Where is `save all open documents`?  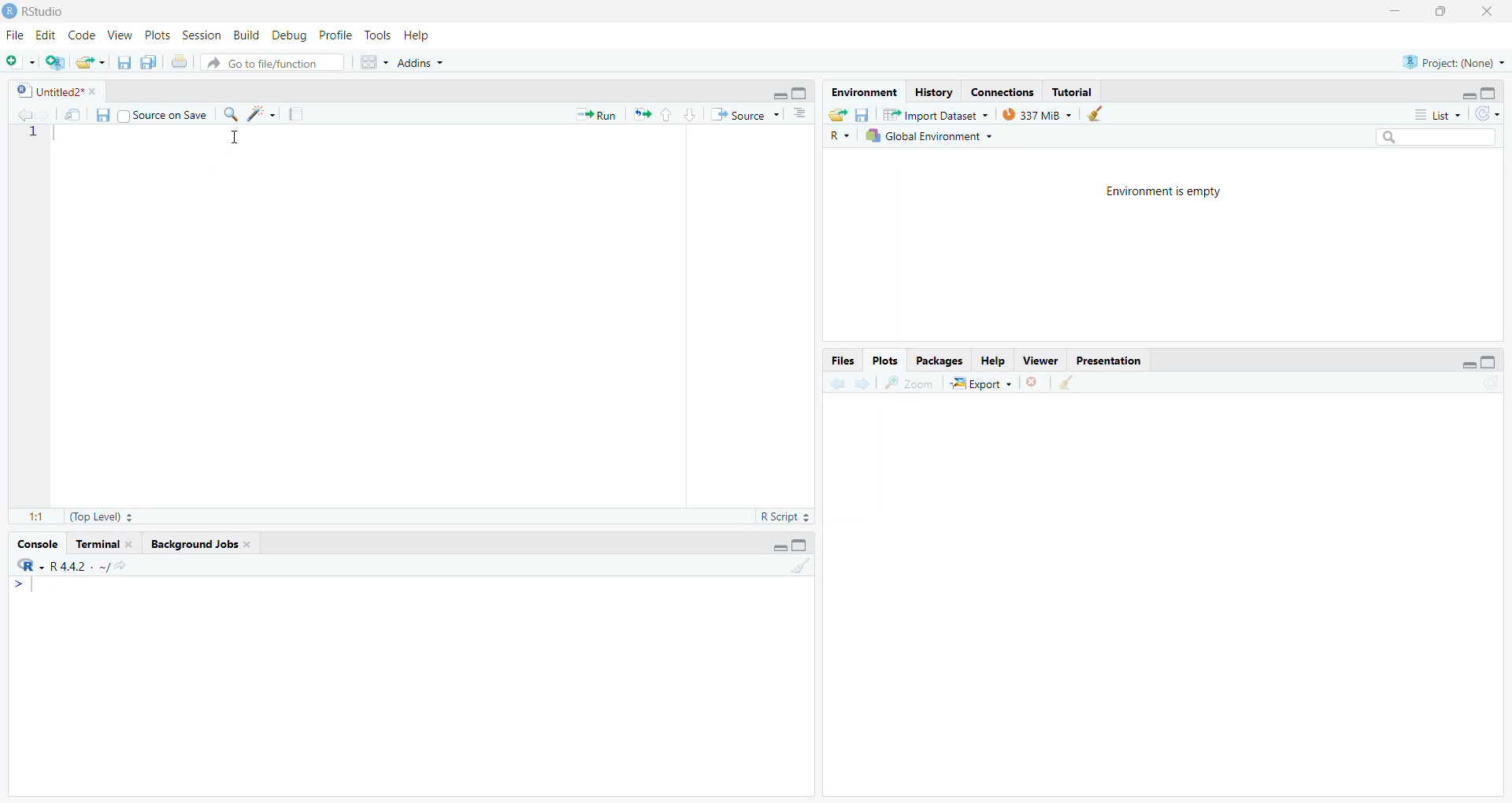 save all open documents is located at coordinates (149, 62).